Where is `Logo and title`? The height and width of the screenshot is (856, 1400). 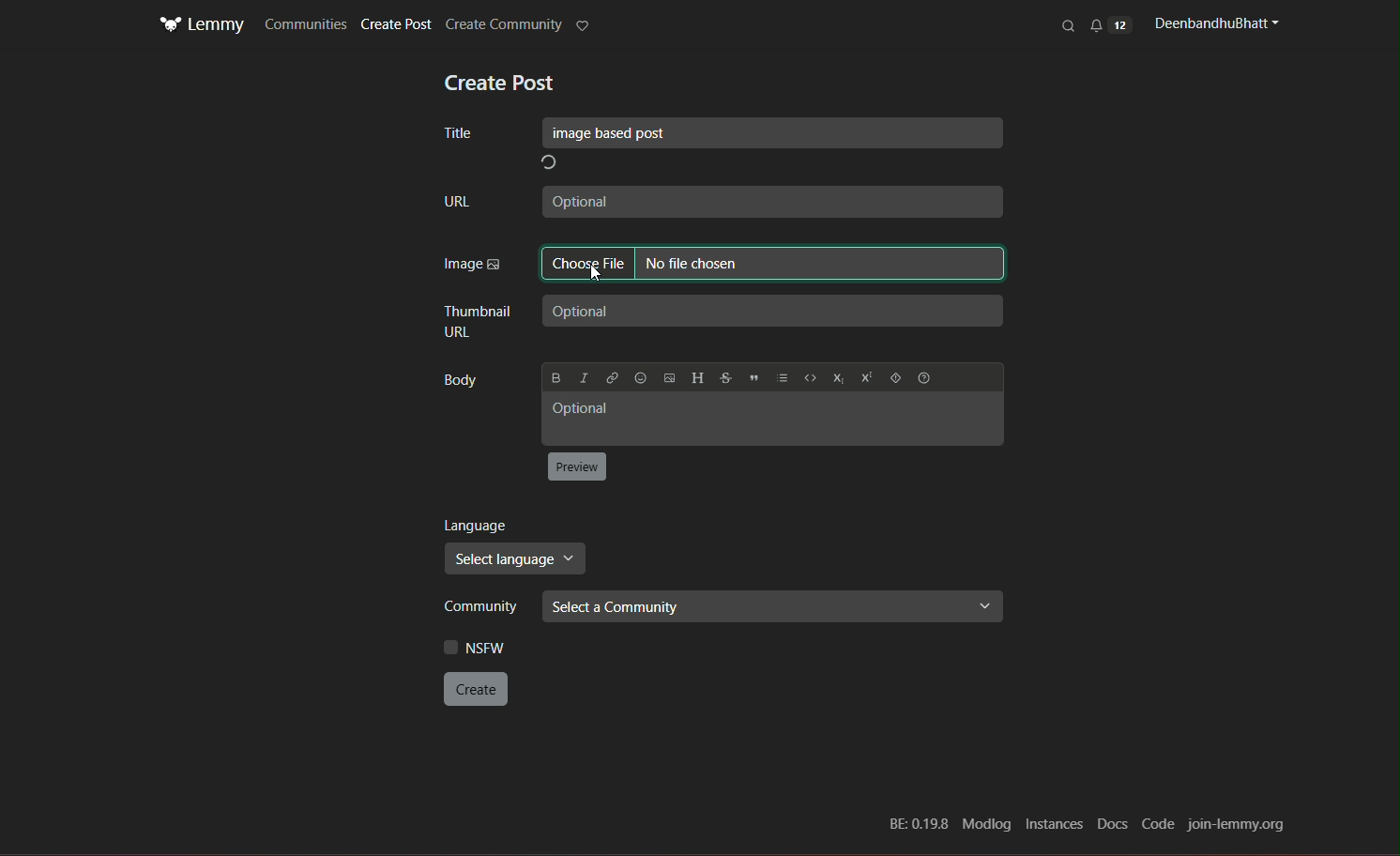
Logo and title is located at coordinates (202, 25).